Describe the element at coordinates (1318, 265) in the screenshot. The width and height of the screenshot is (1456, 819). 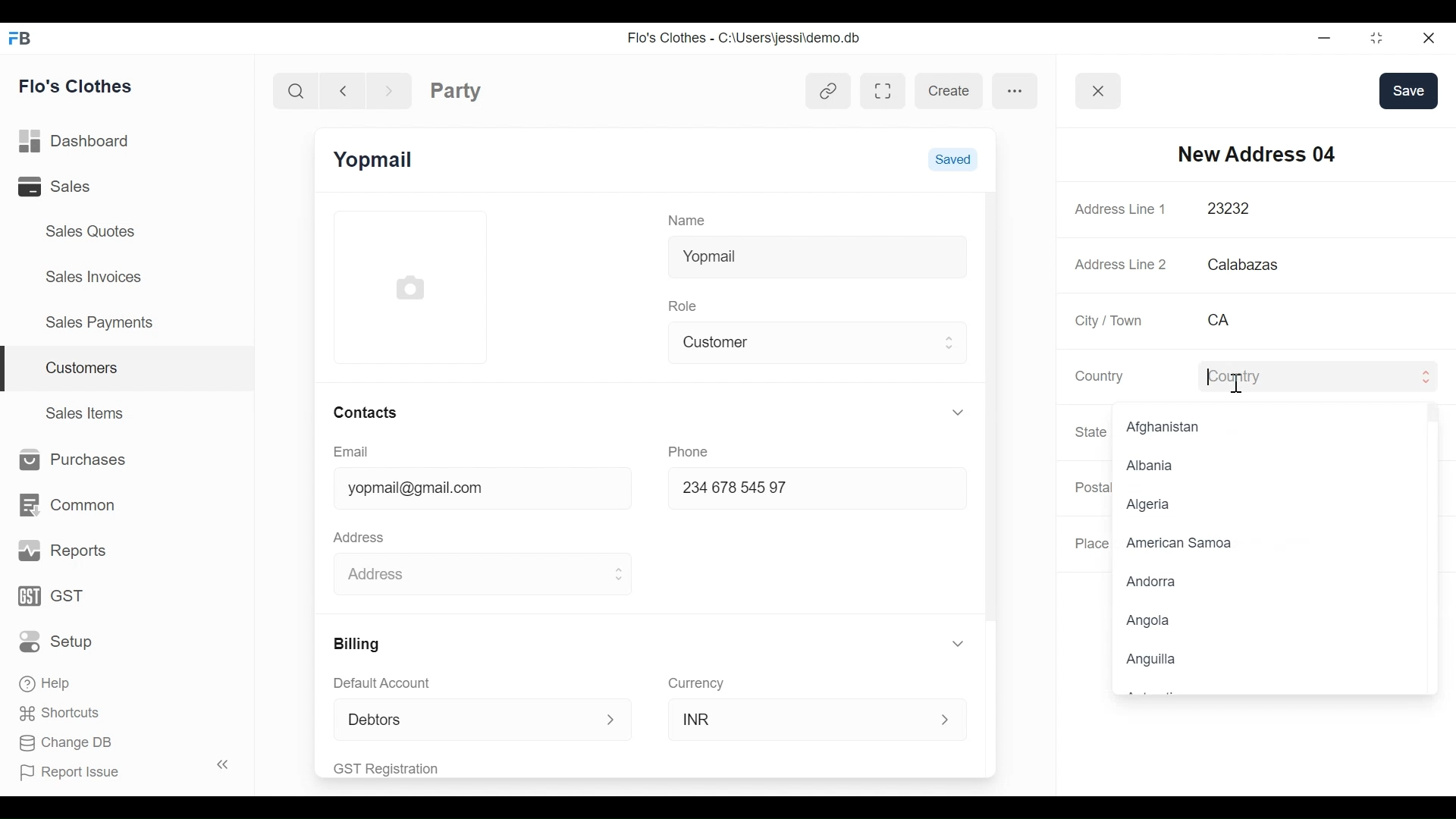
I see `Calabazas` at that location.